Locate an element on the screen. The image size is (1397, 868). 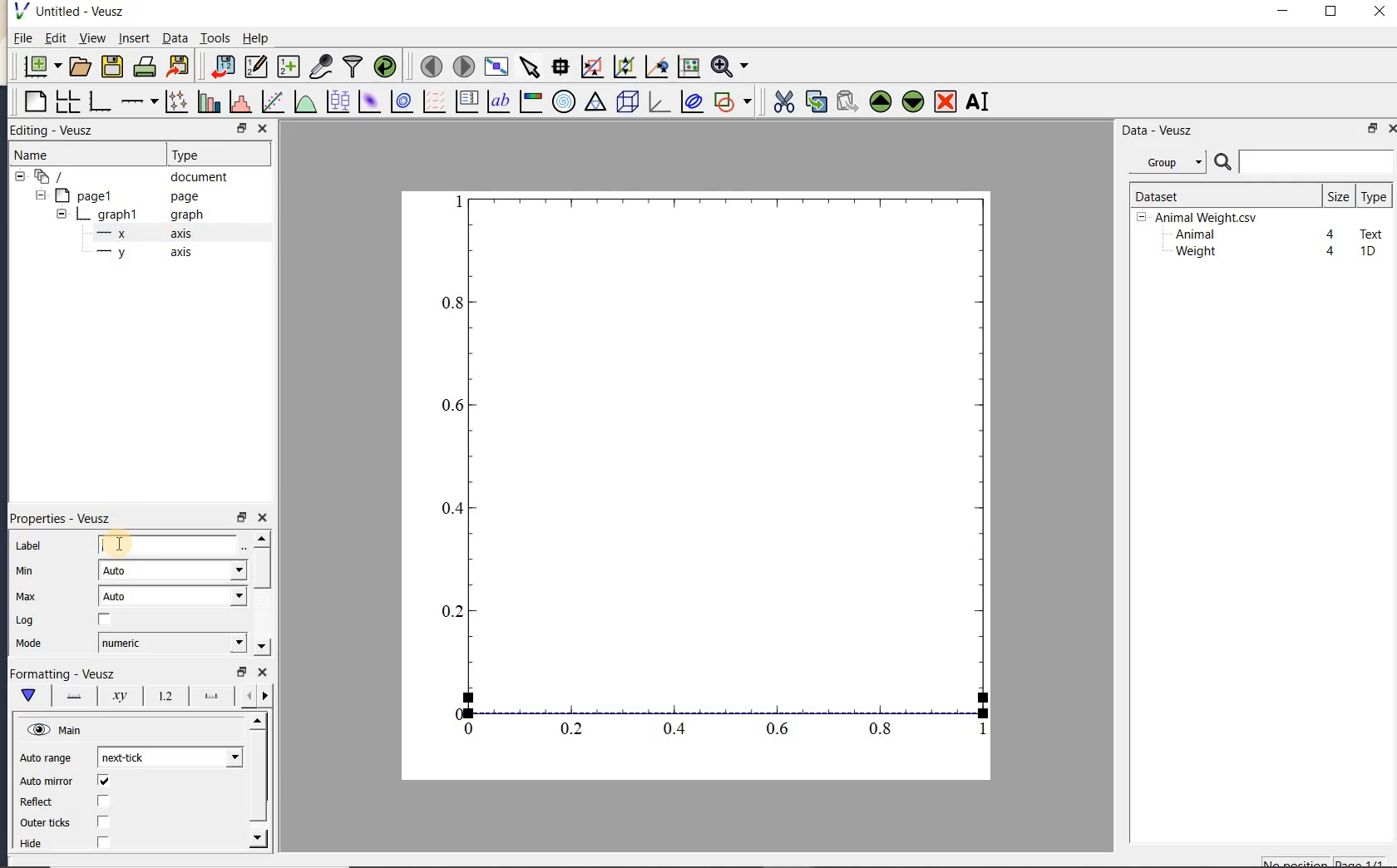
Main is located at coordinates (57, 731).